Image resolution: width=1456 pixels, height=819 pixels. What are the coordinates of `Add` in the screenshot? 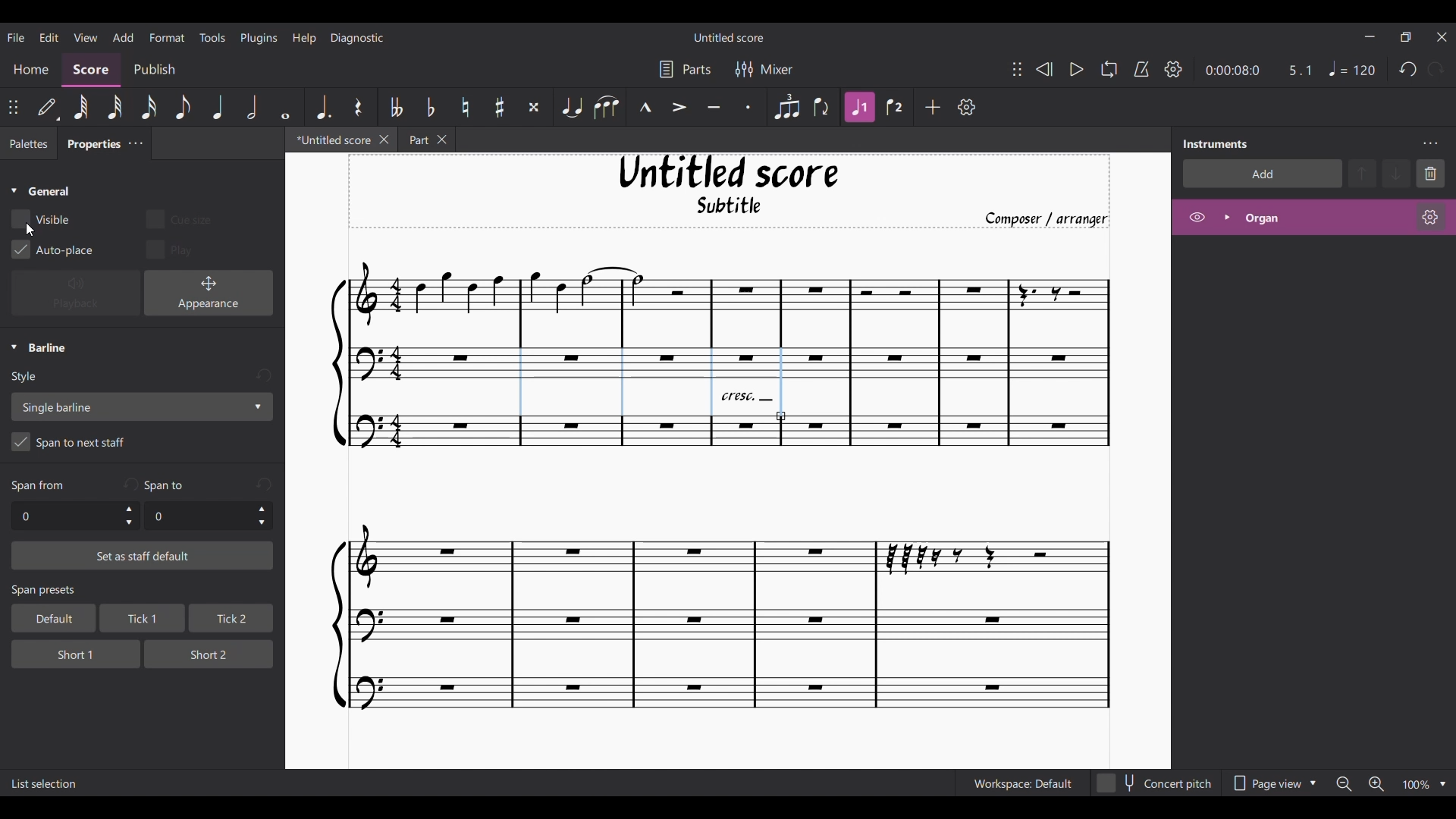 It's located at (934, 107).